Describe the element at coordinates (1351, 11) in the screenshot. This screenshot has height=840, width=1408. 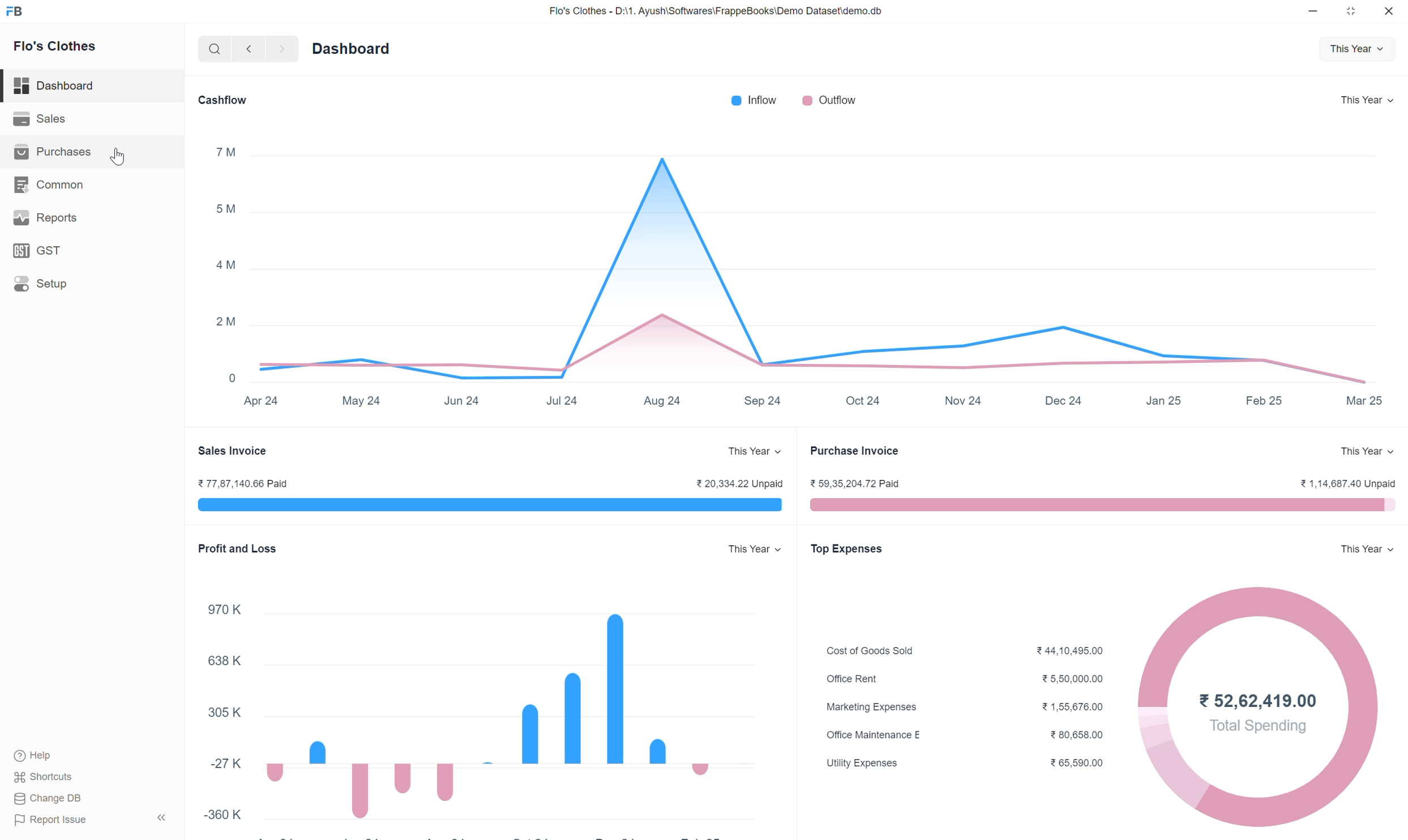
I see `Change dimension` at that location.